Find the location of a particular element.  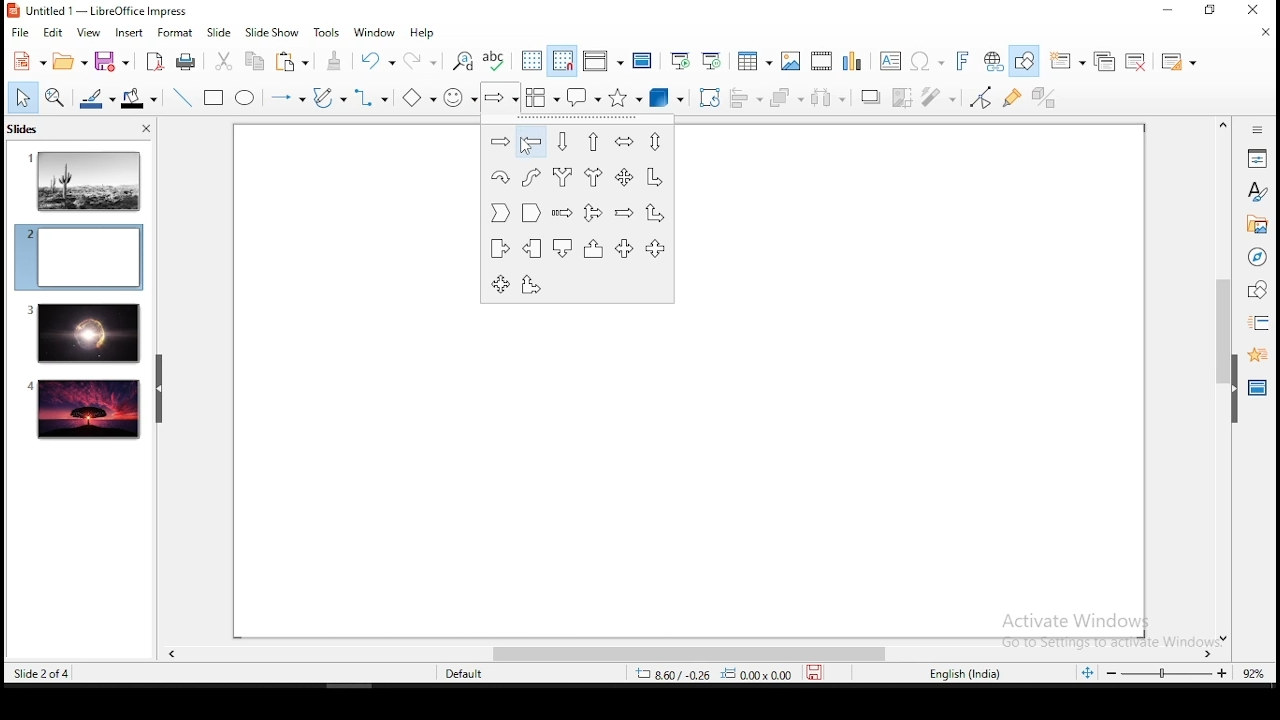

ellipse is located at coordinates (244, 98).